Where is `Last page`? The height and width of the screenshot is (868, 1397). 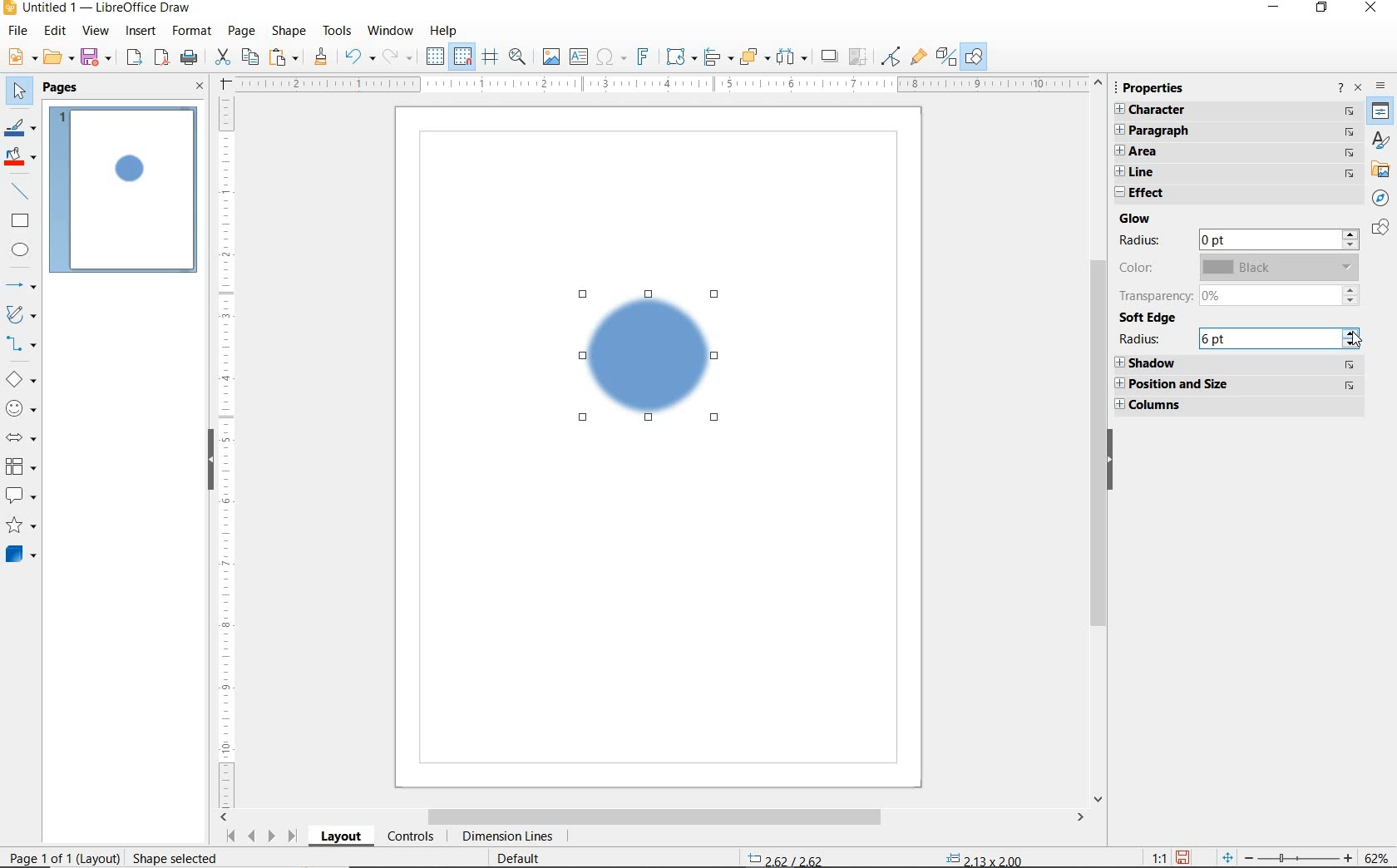 Last page is located at coordinates (292, 837).